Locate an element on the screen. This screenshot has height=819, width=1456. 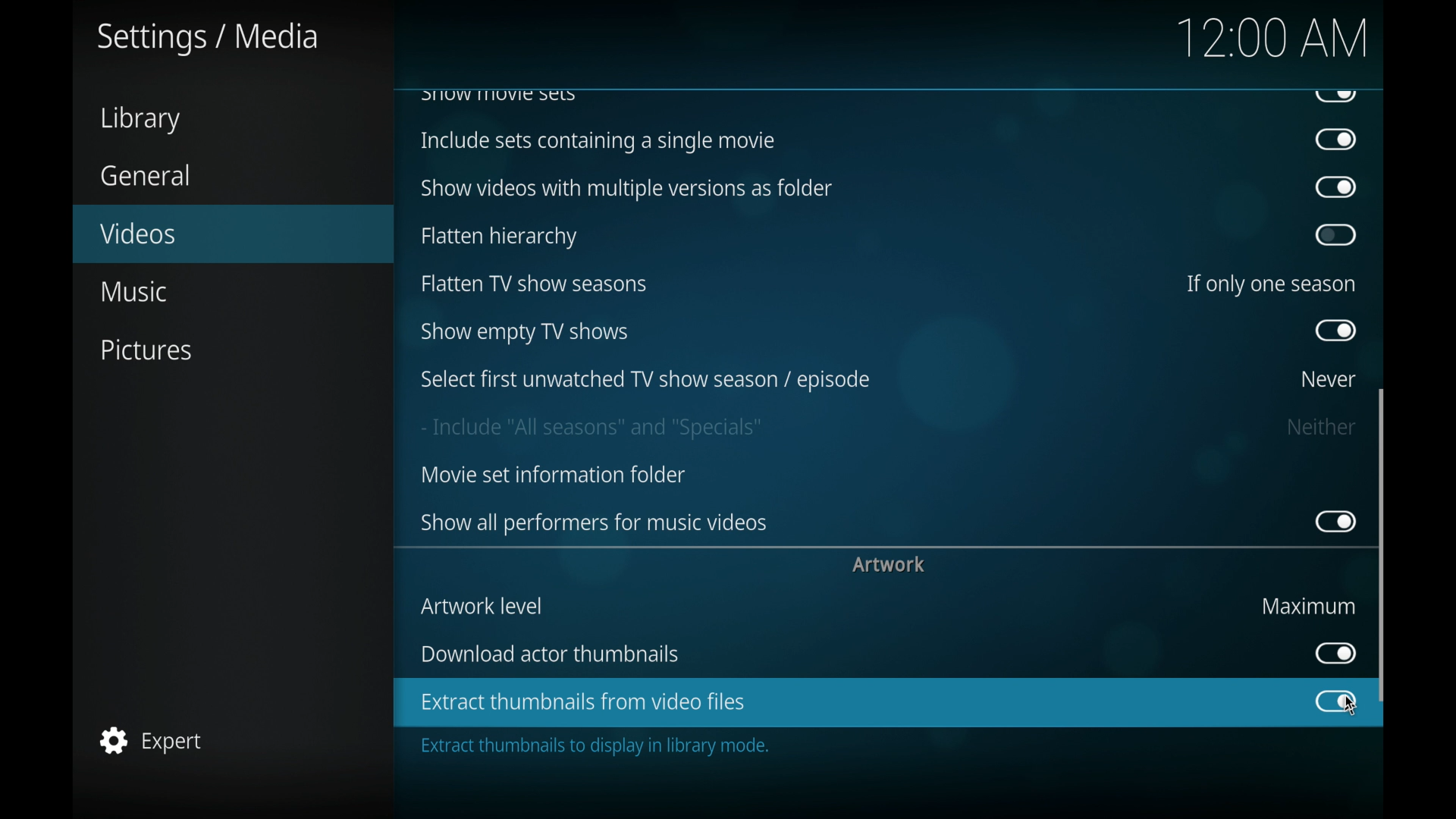
flatten hierarchy is located at coordinates (497, 237).